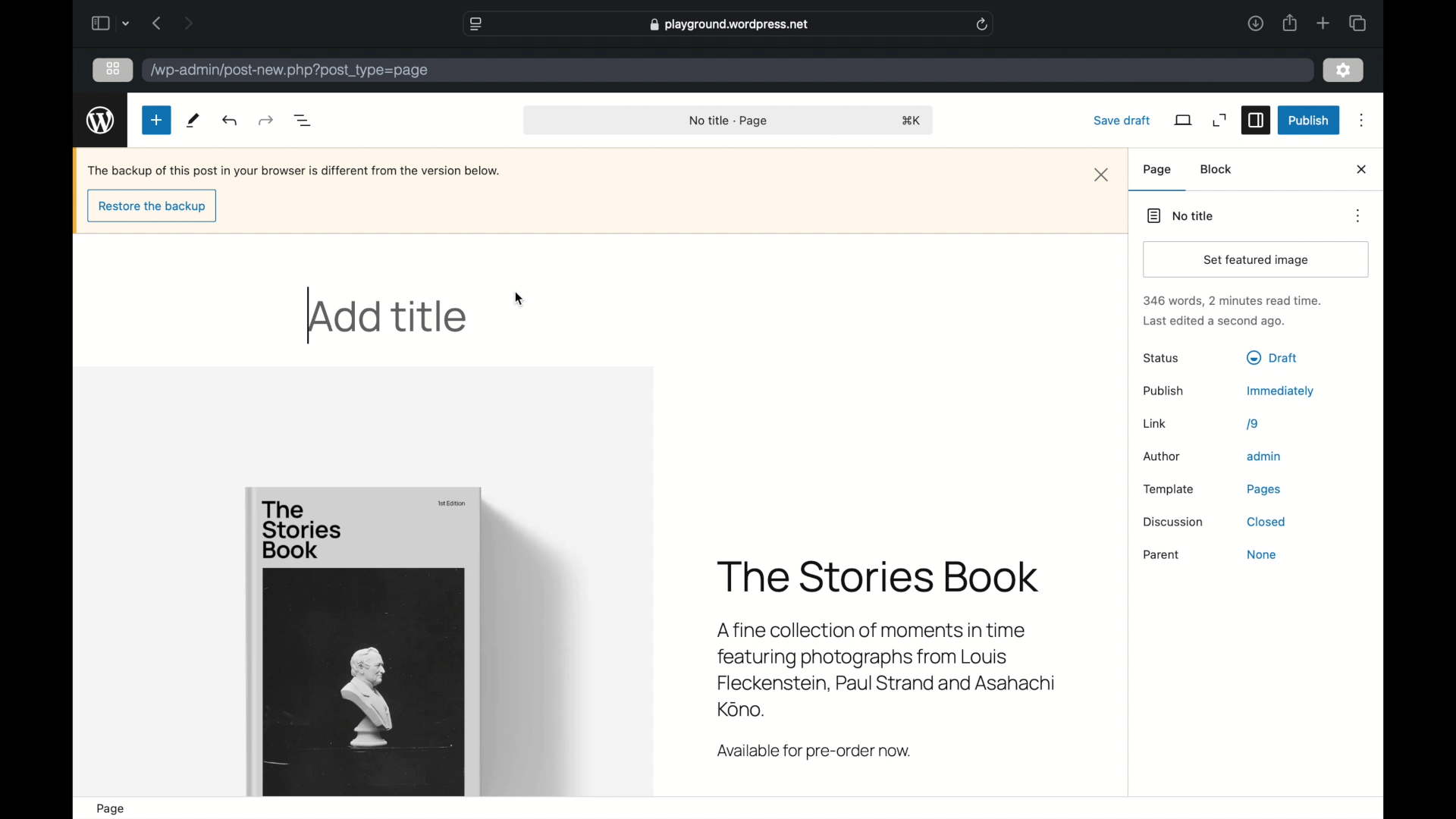 The height and width of the screenshot is (819, 1456). What do you see at coordinates (1219, 121) in the screenshot?
I see `expand` at bounding box center [1219, 121].